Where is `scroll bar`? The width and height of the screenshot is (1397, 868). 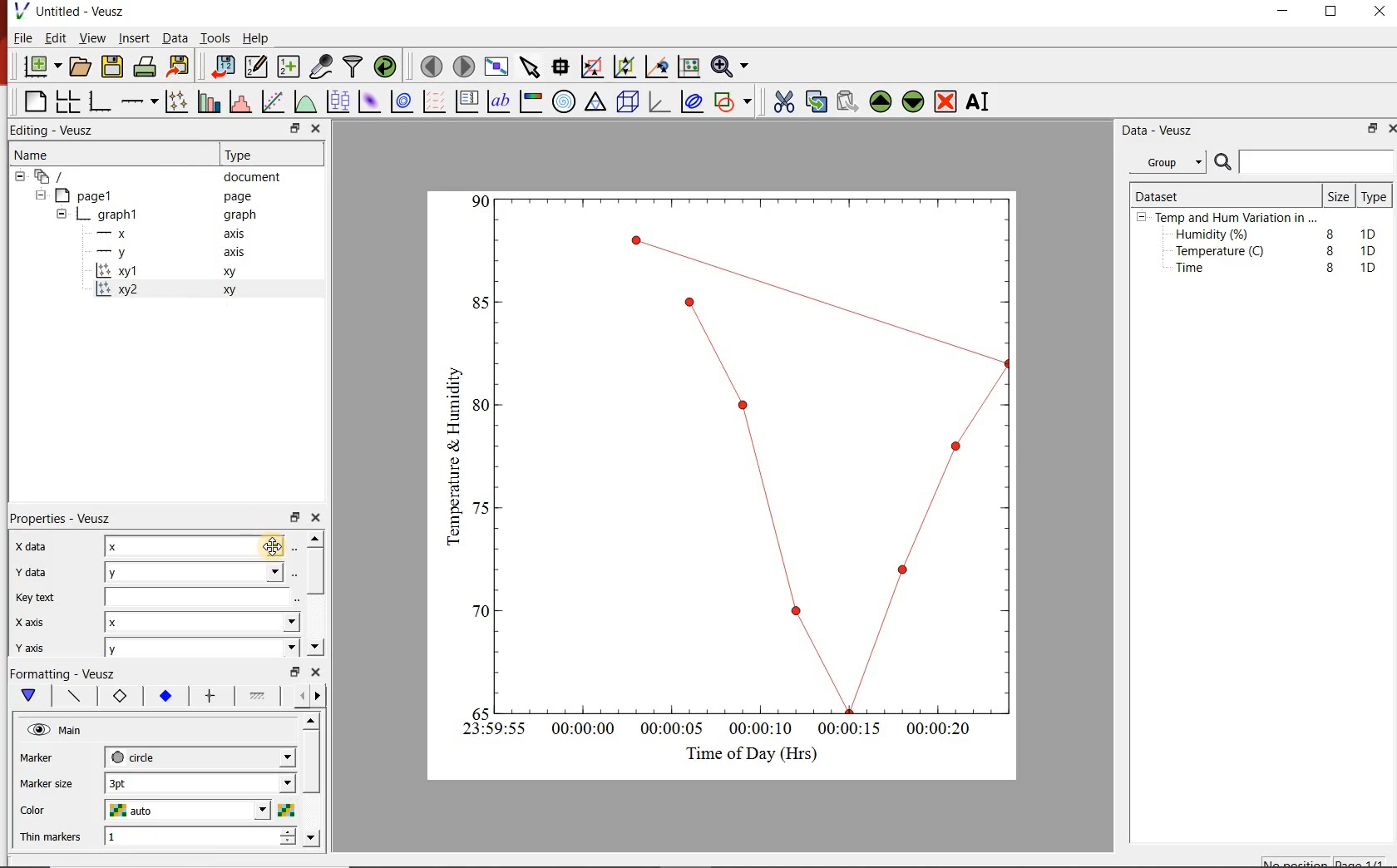 scroll bar is located at coordinates (313, 778).